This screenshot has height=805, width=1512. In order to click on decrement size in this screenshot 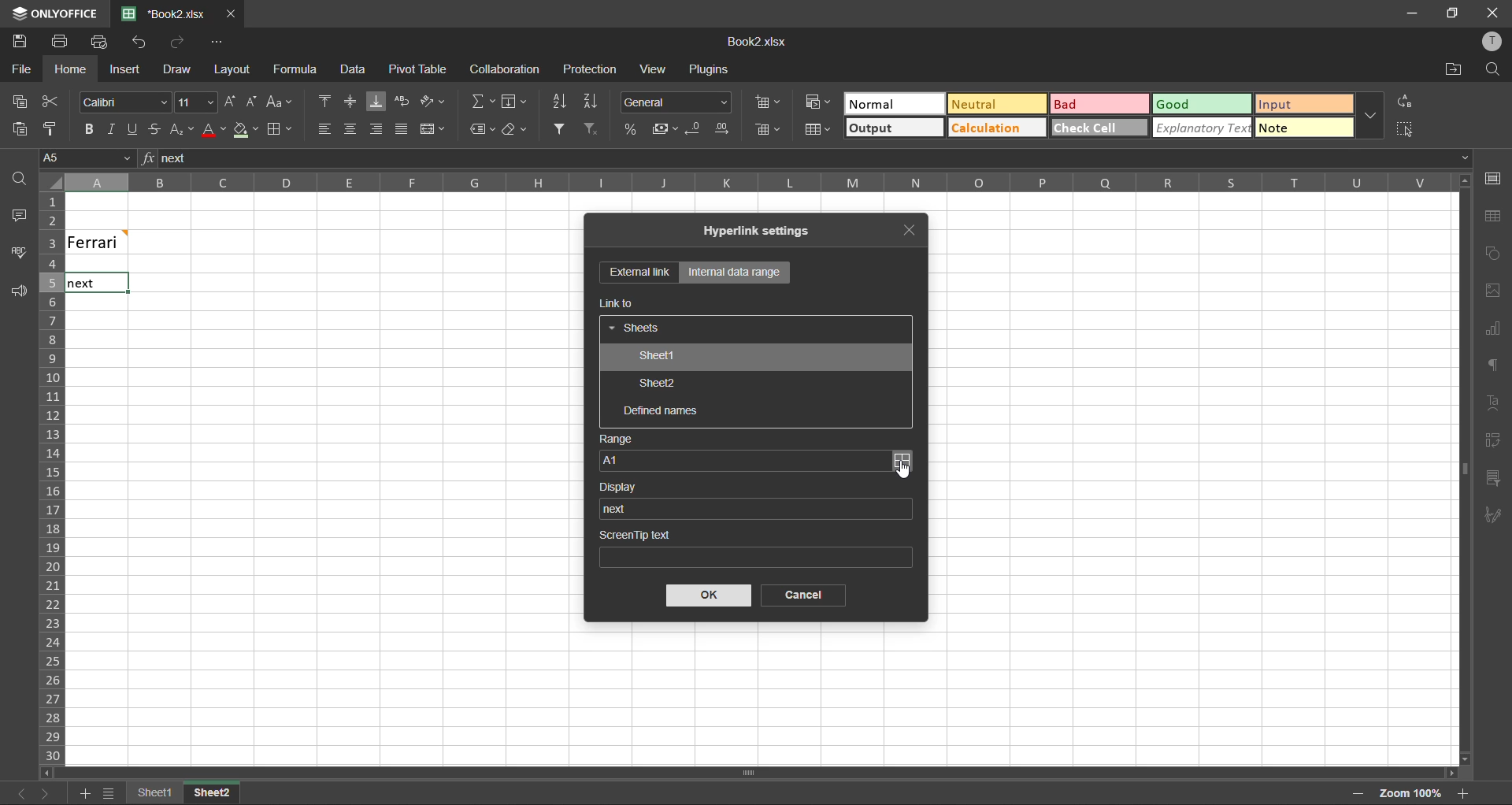, I will do `click(250, 102)`.